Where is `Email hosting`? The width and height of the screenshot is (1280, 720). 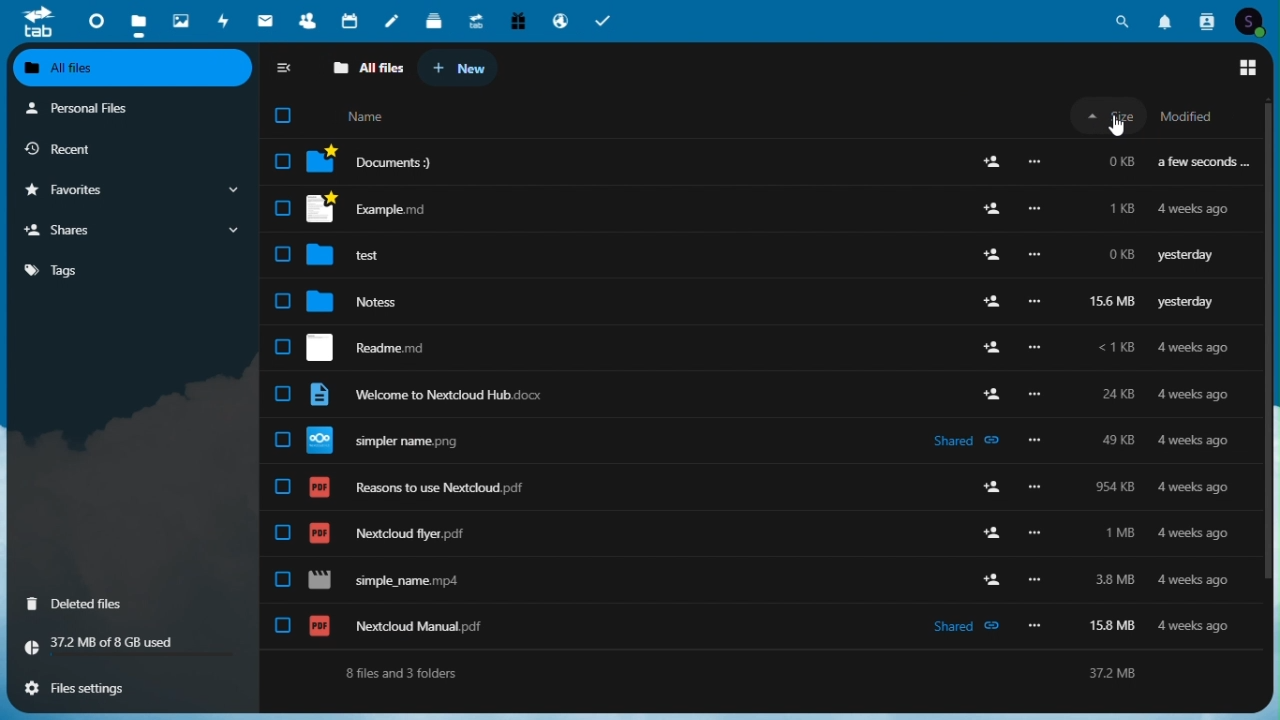
Email hosting is located at coordinates (562, 19).